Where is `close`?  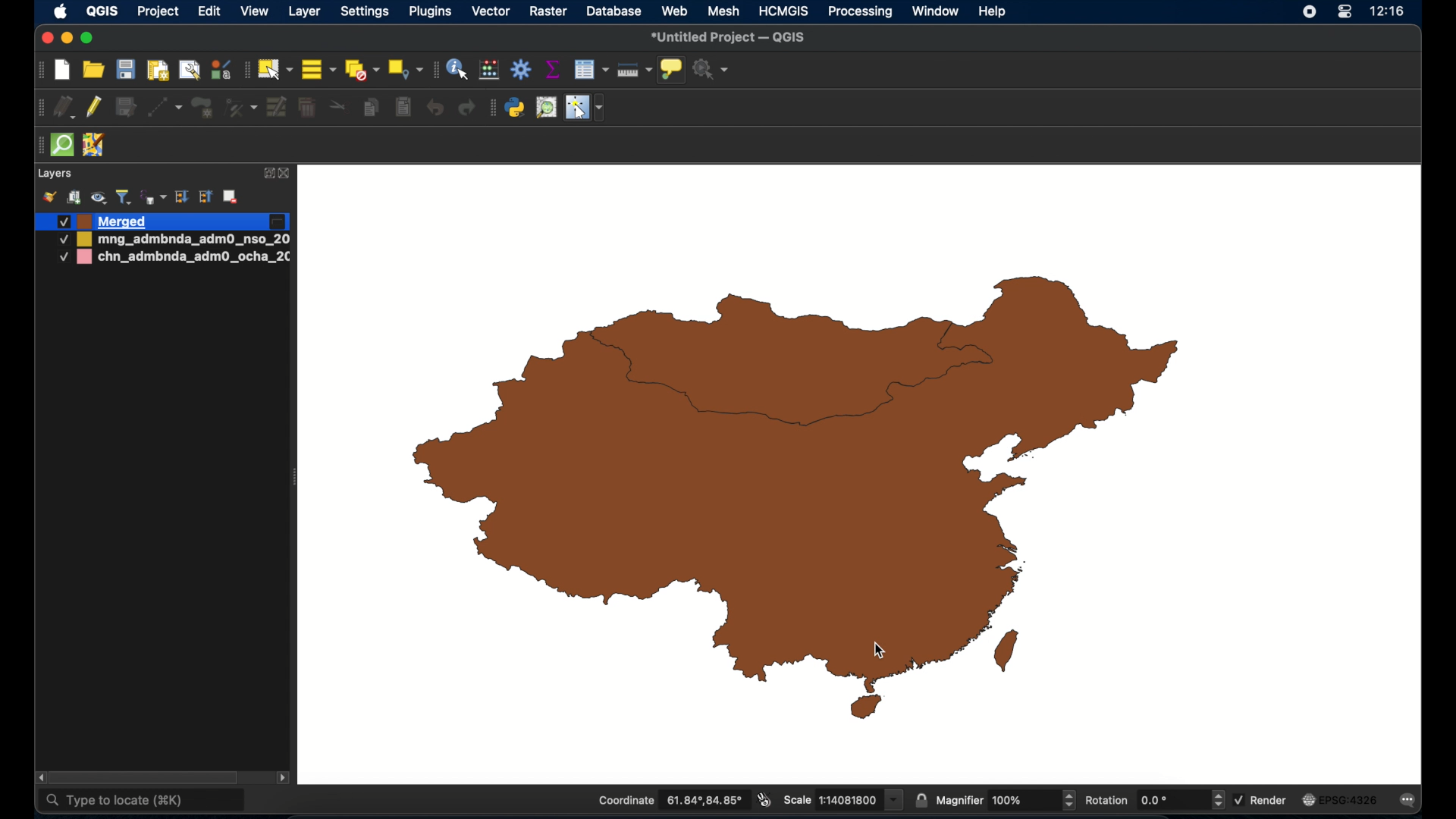
close is located at coordinates (45, 39).